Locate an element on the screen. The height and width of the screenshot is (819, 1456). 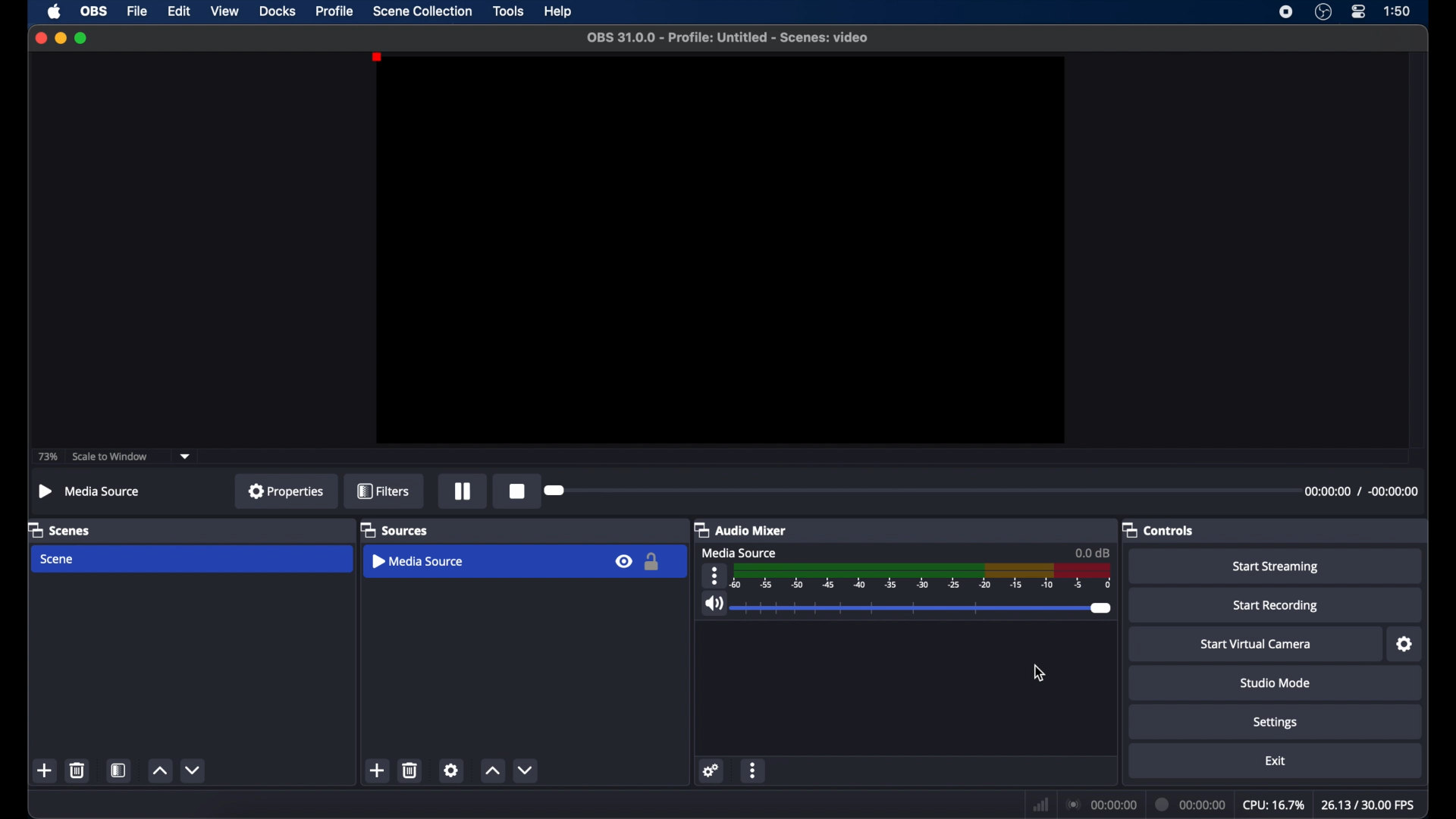
0.0 is located at coordinates (1092, 552).